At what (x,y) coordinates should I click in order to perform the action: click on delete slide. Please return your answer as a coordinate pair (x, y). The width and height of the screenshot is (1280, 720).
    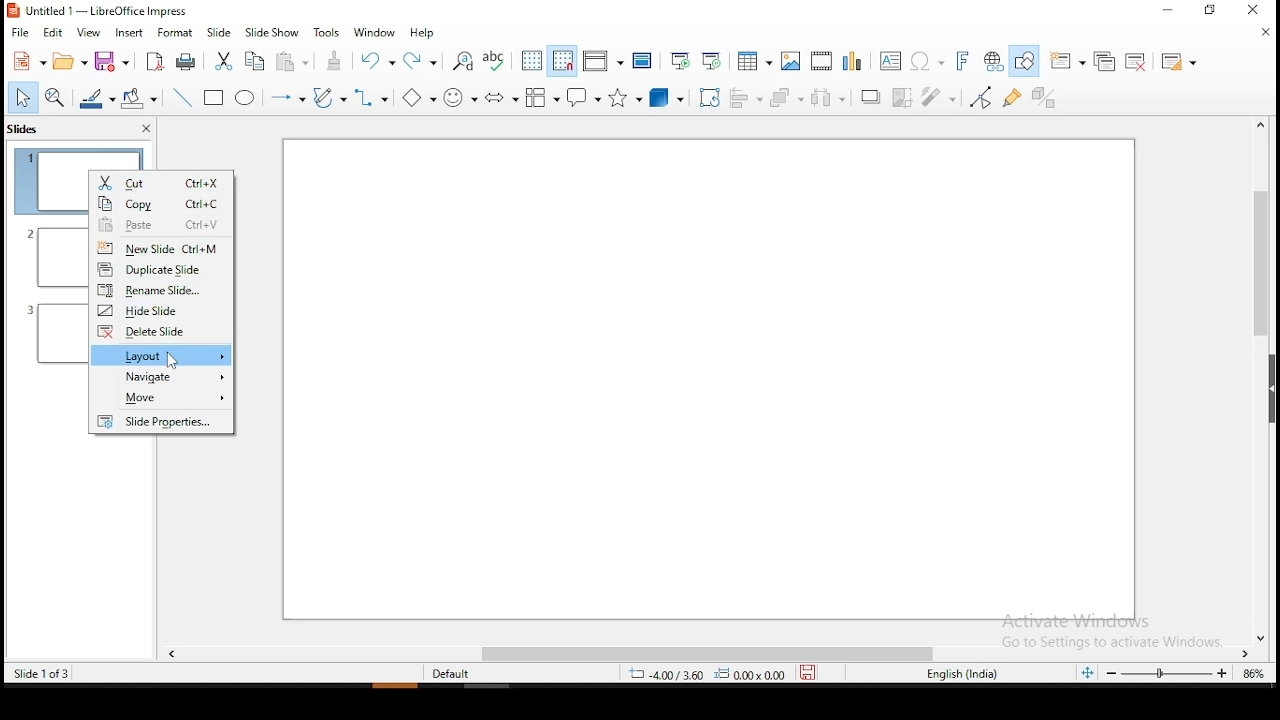
    Looking at the image, I should click on (160, 332).